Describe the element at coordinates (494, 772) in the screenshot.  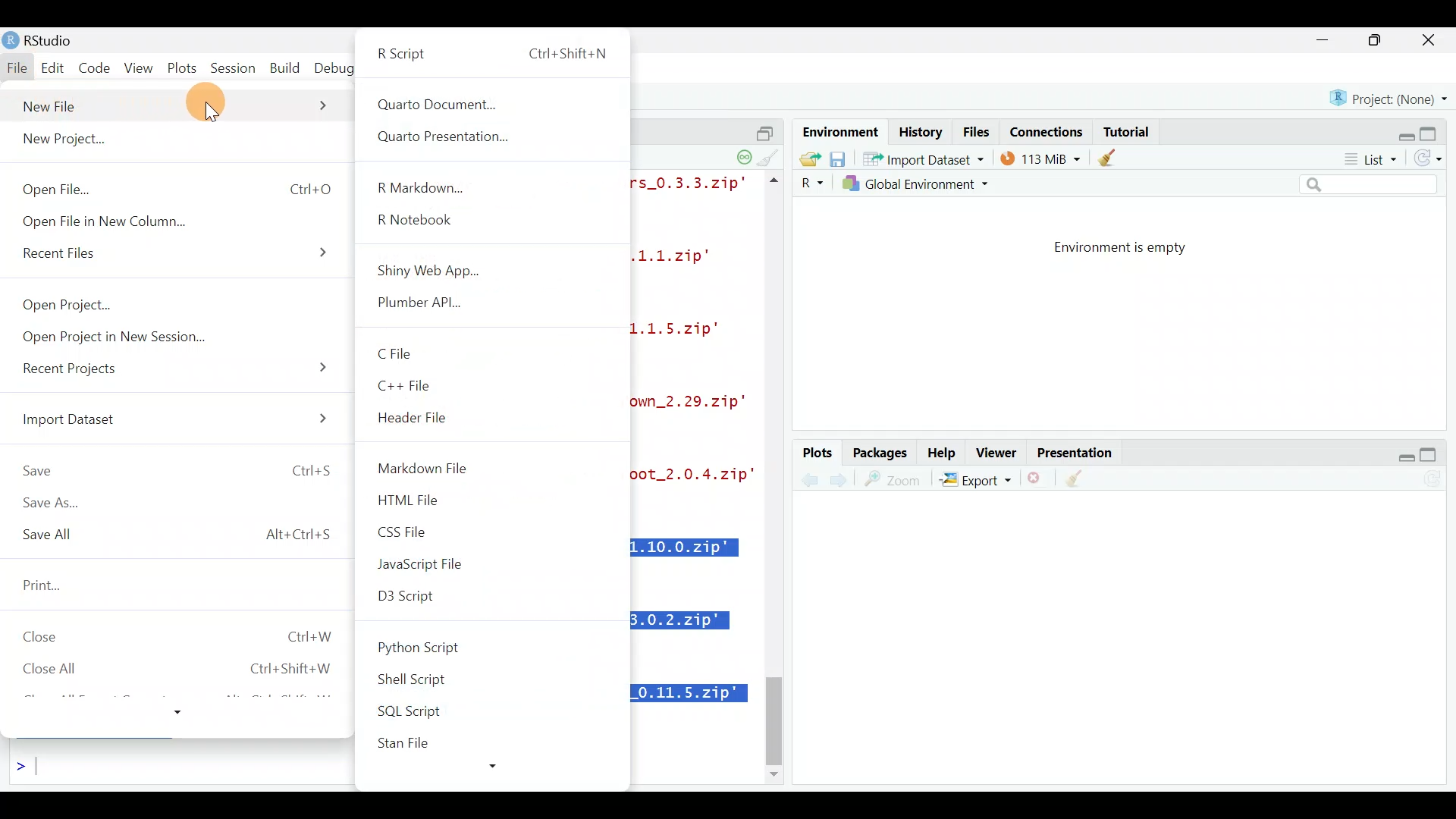
I see `more` at that location.